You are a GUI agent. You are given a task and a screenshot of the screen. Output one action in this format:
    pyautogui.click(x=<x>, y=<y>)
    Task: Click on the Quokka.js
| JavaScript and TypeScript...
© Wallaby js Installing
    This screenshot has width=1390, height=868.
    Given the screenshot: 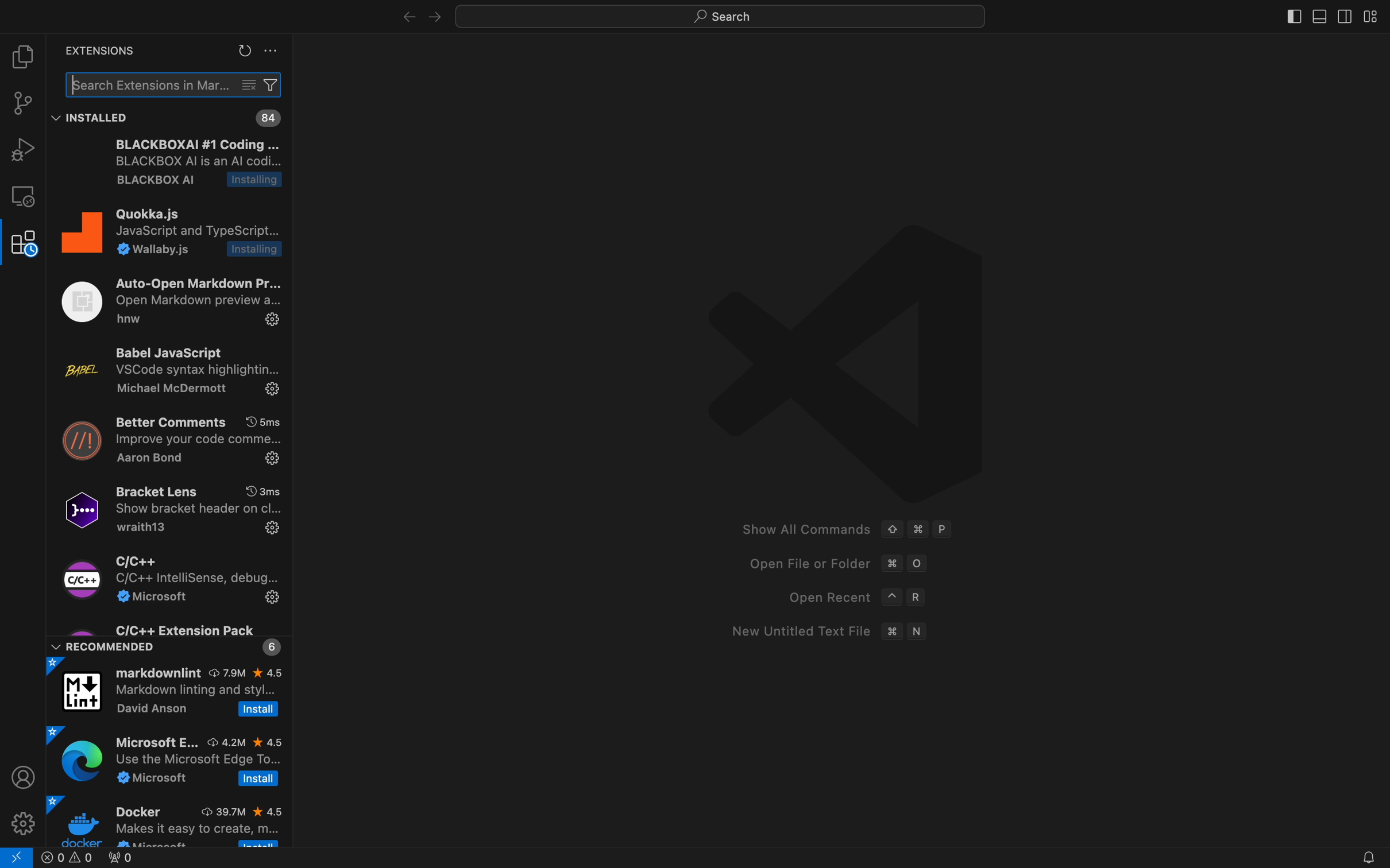 What is the action you would take?
    pyautogui.click(x=172, y=237)
    